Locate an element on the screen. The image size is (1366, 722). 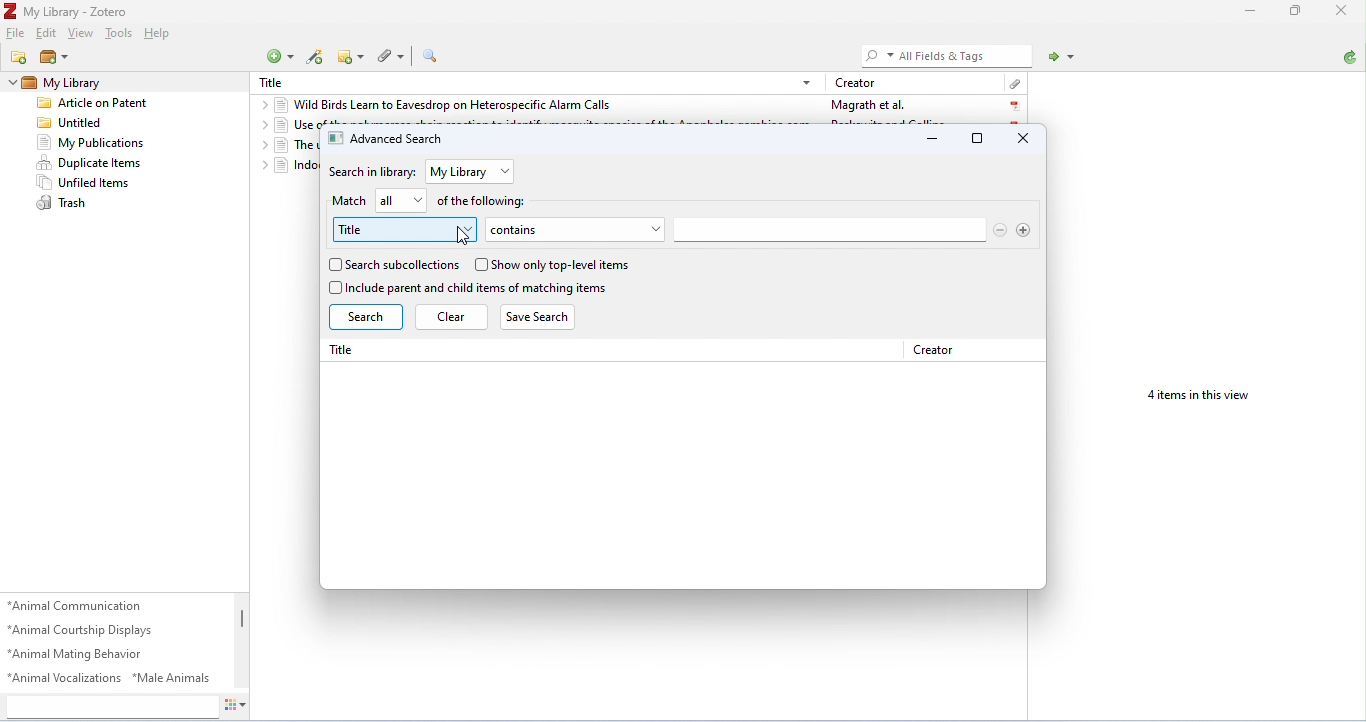
unfiled items is located at coordinates (83, 182).